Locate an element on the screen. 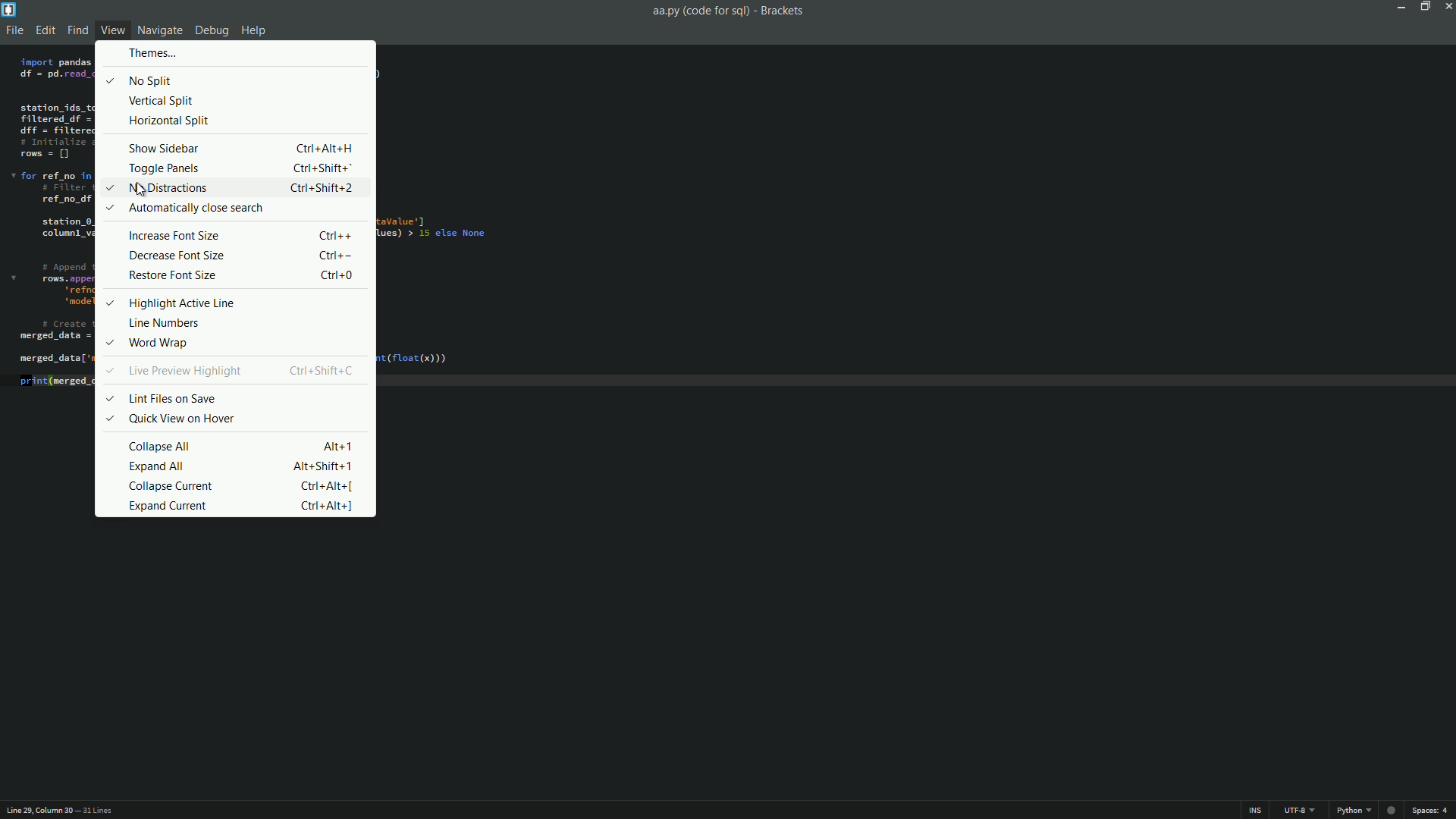  Collapse current is located at coordinates (247, 485).